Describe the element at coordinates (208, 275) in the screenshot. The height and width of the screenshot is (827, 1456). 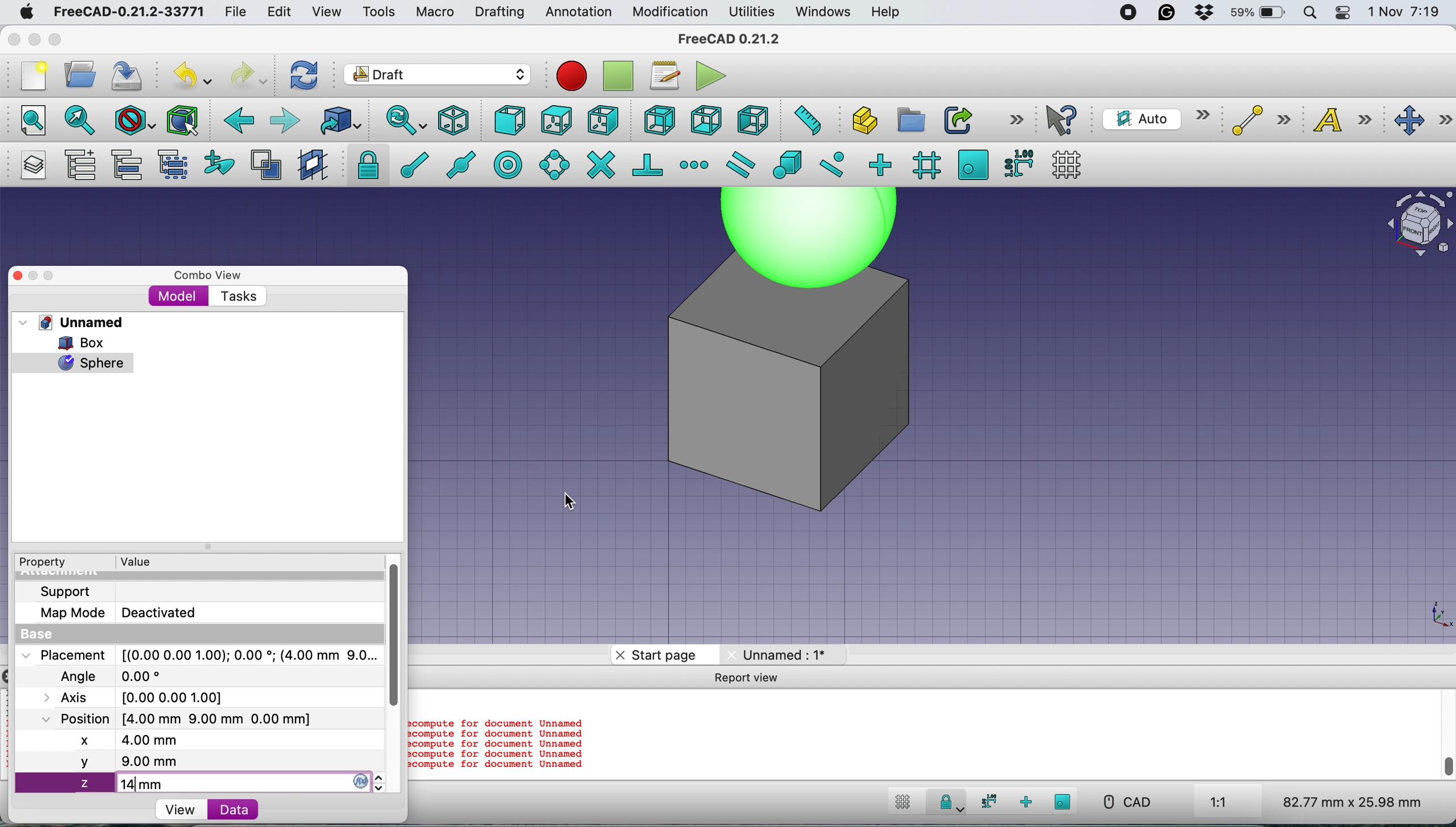
I see `combo view` at that location.